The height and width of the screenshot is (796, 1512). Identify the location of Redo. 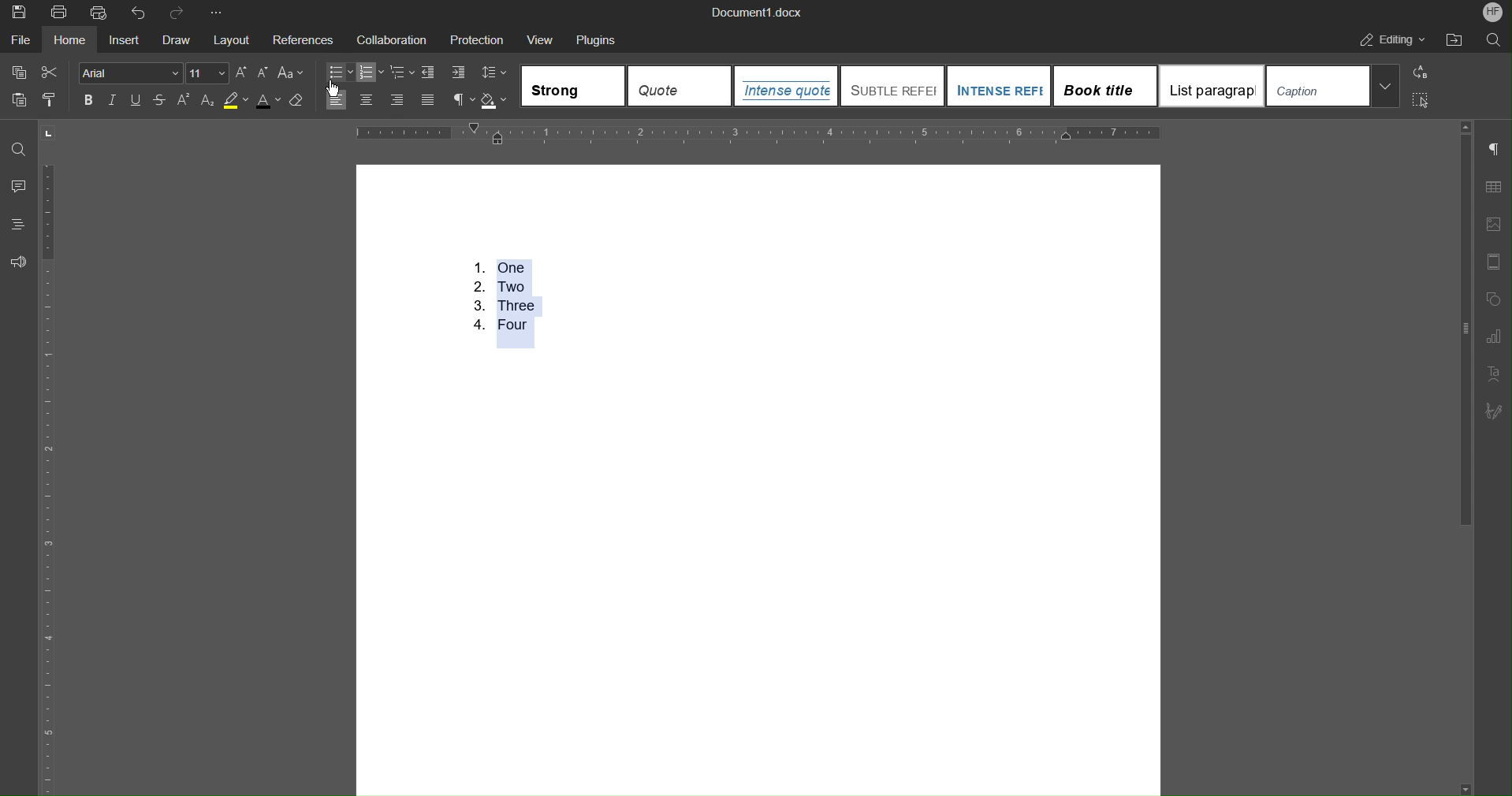
(177, 11).